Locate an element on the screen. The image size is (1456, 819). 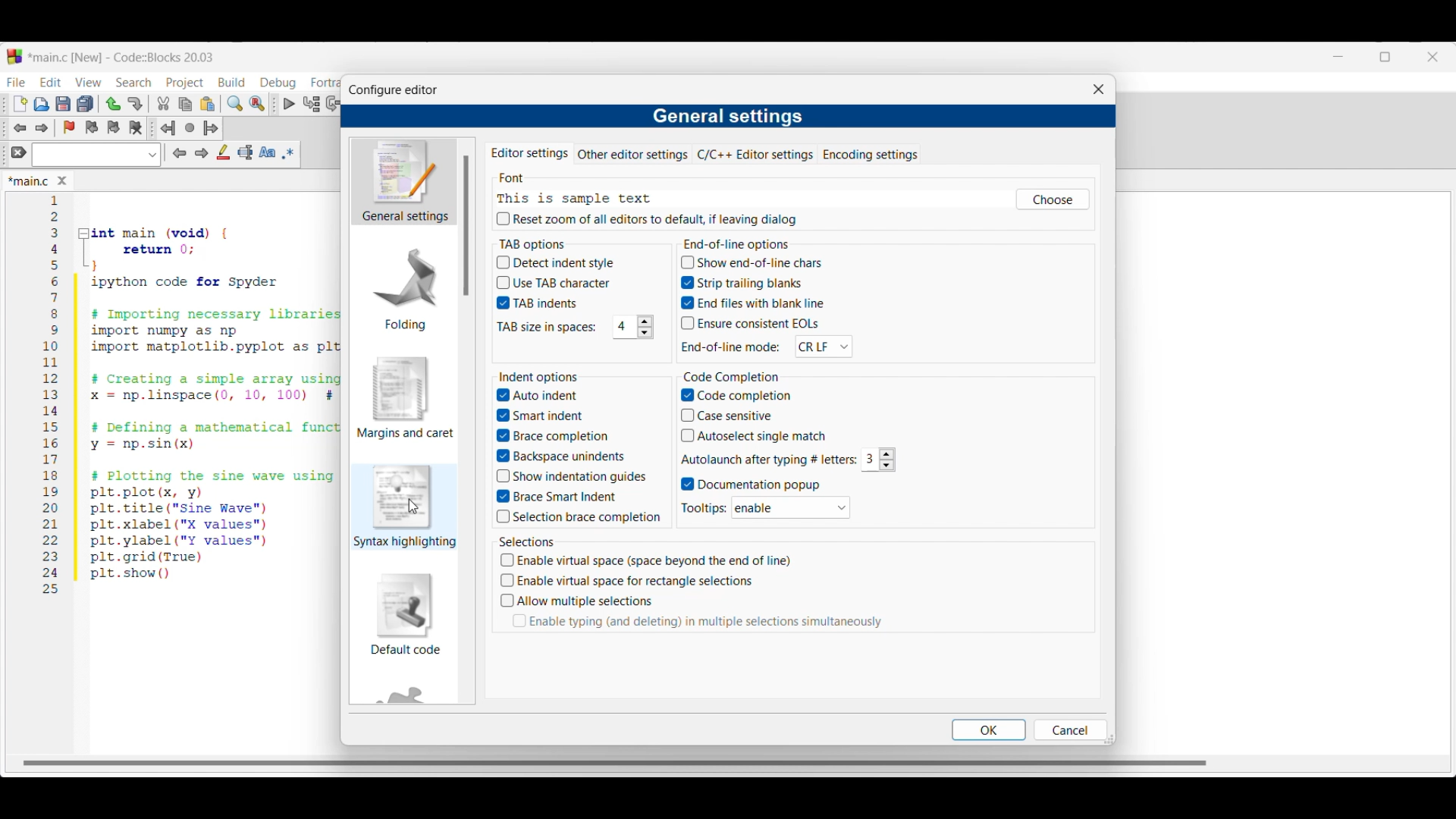
Last jump is located at coordinates (190, 127).